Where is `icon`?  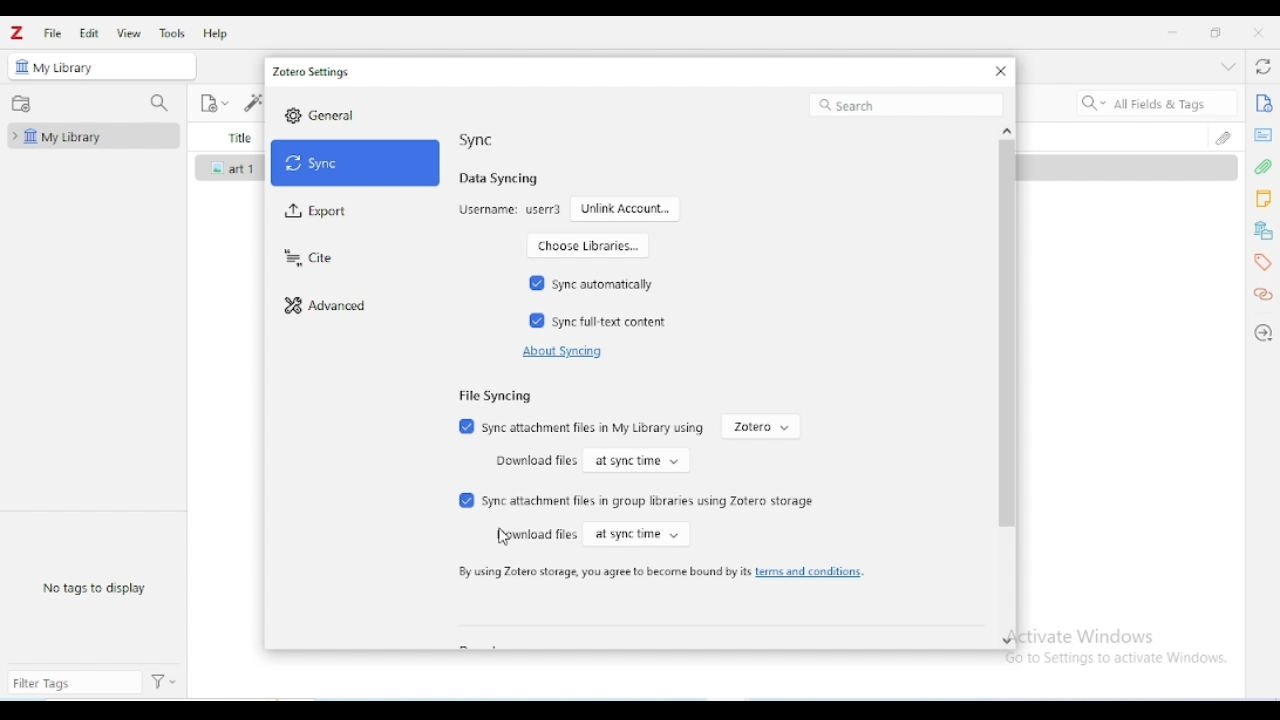 icon is located at coordinates (23, 66).